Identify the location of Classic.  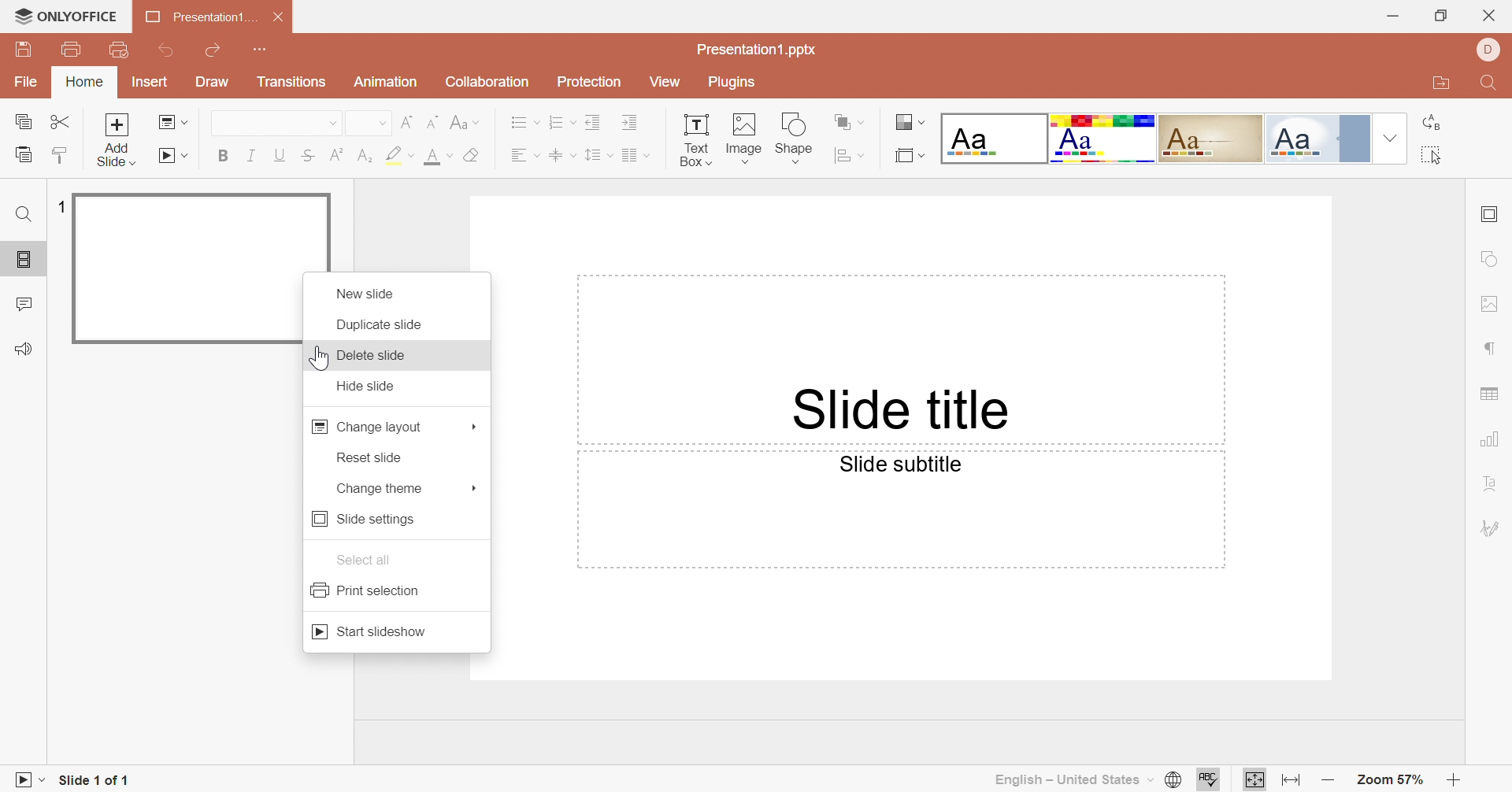
(1210, 139).